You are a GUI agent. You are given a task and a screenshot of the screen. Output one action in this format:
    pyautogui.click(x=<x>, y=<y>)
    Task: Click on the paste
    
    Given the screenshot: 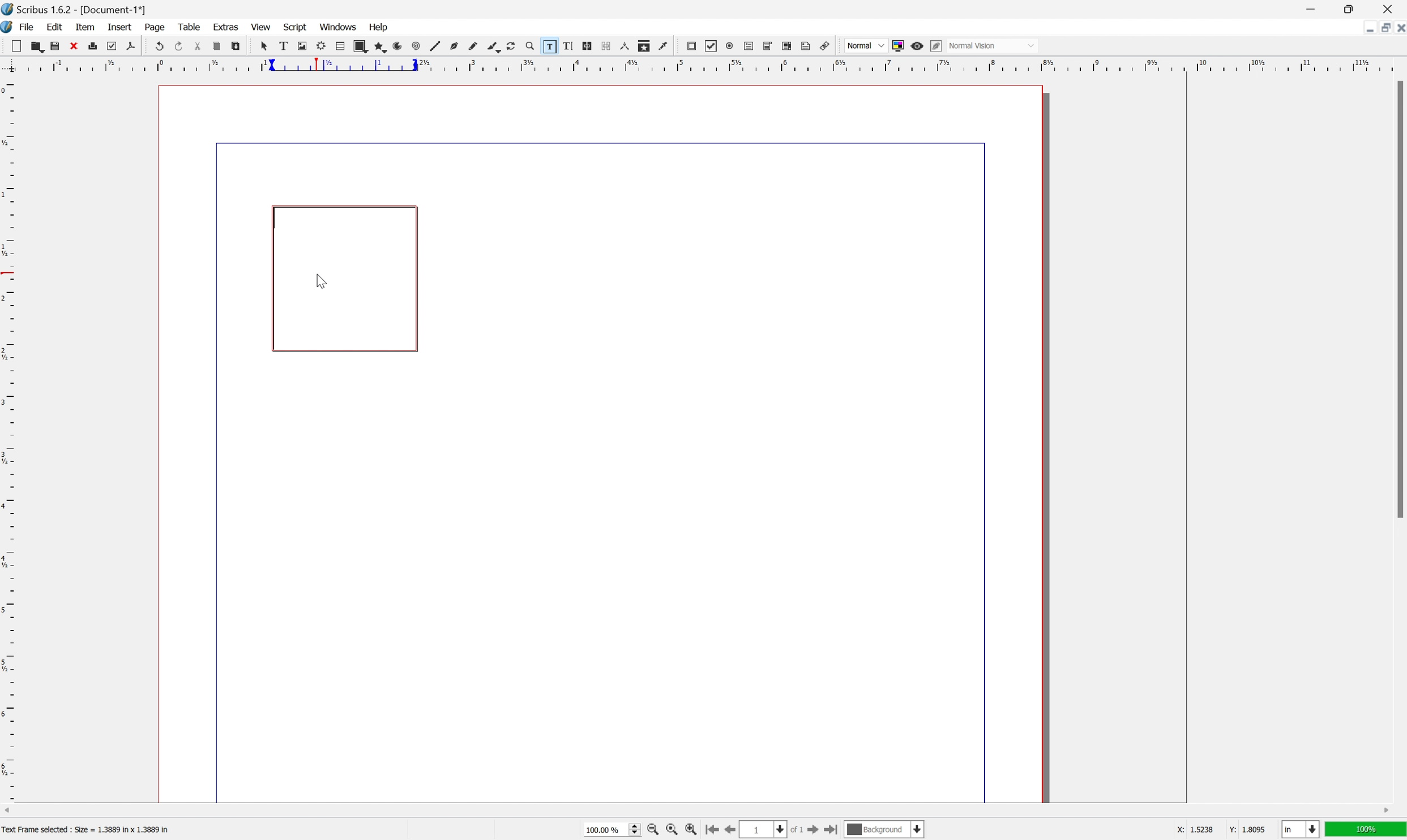 What is the action you would take?
    pyautogui.click(x=236, y=46)
    